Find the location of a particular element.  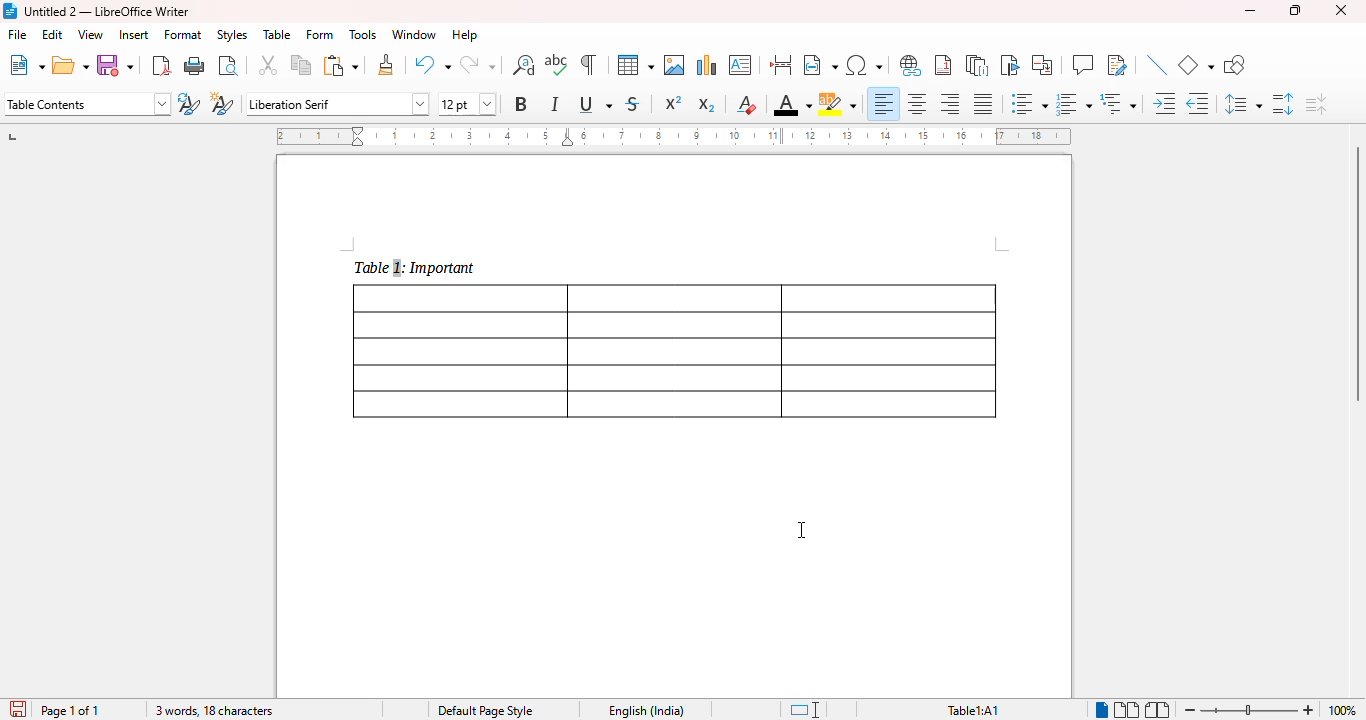

justified is located at coordinates (984, 104).